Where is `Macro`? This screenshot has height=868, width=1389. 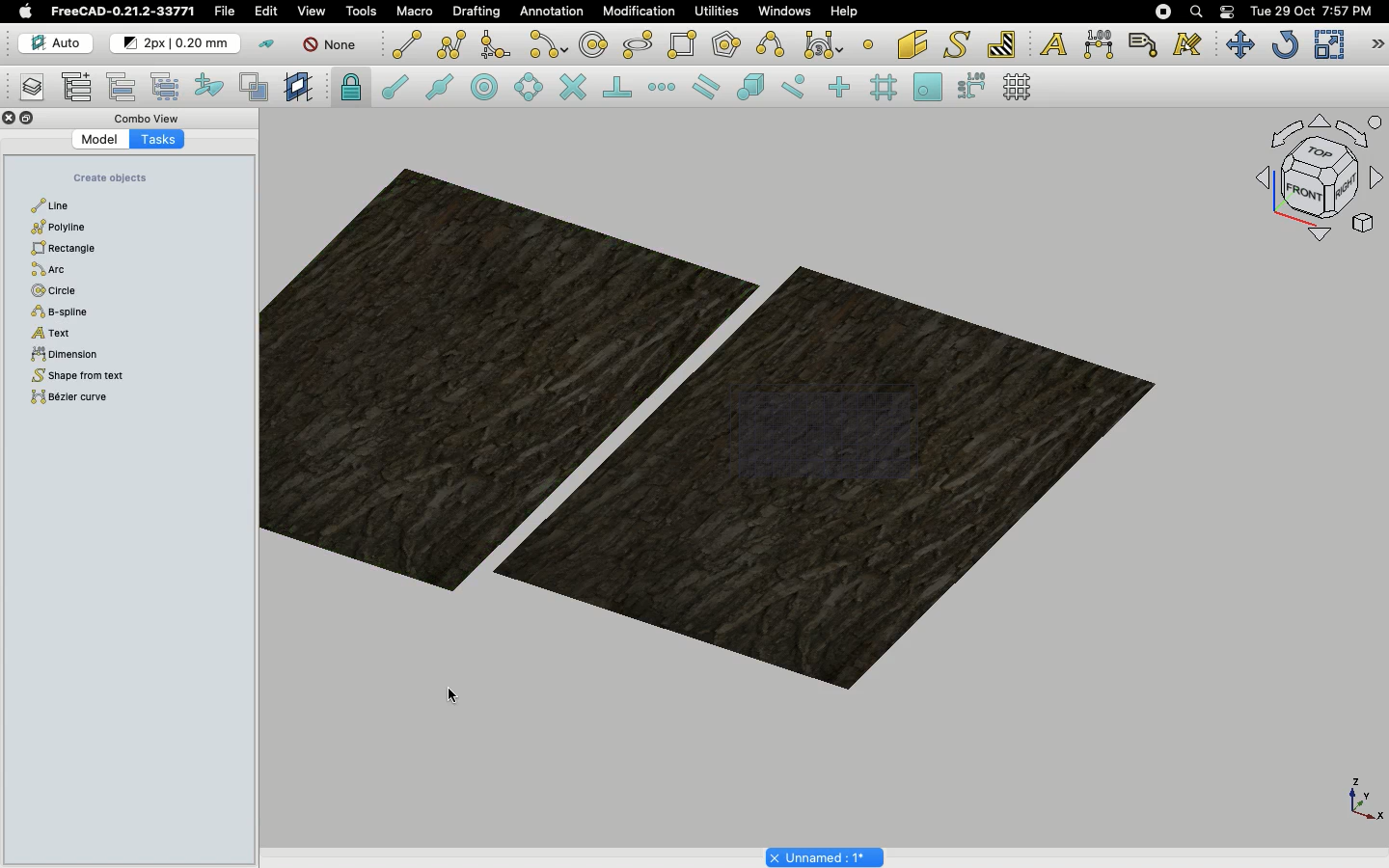 Macro is located at coordinates (416, 12).